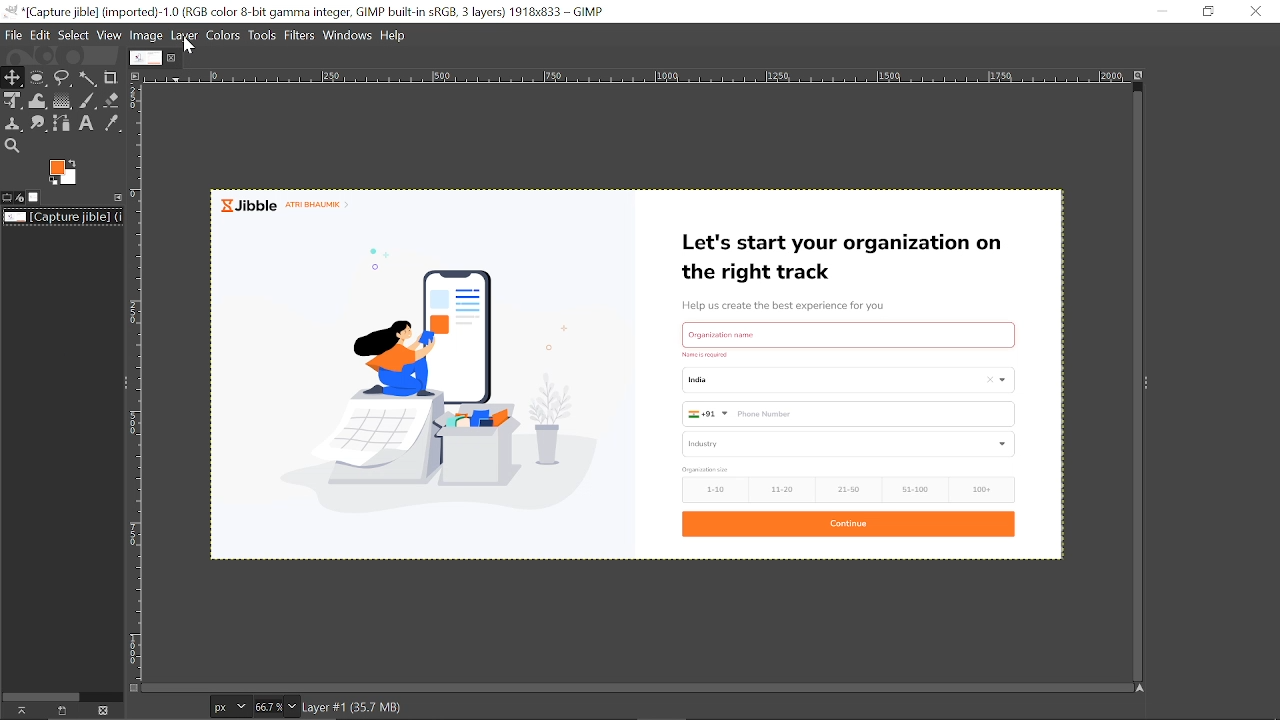  What do you see at coordinates (19, 710) in the screenshot?
I see `Raise the image display` at bounding box center [19, 710].